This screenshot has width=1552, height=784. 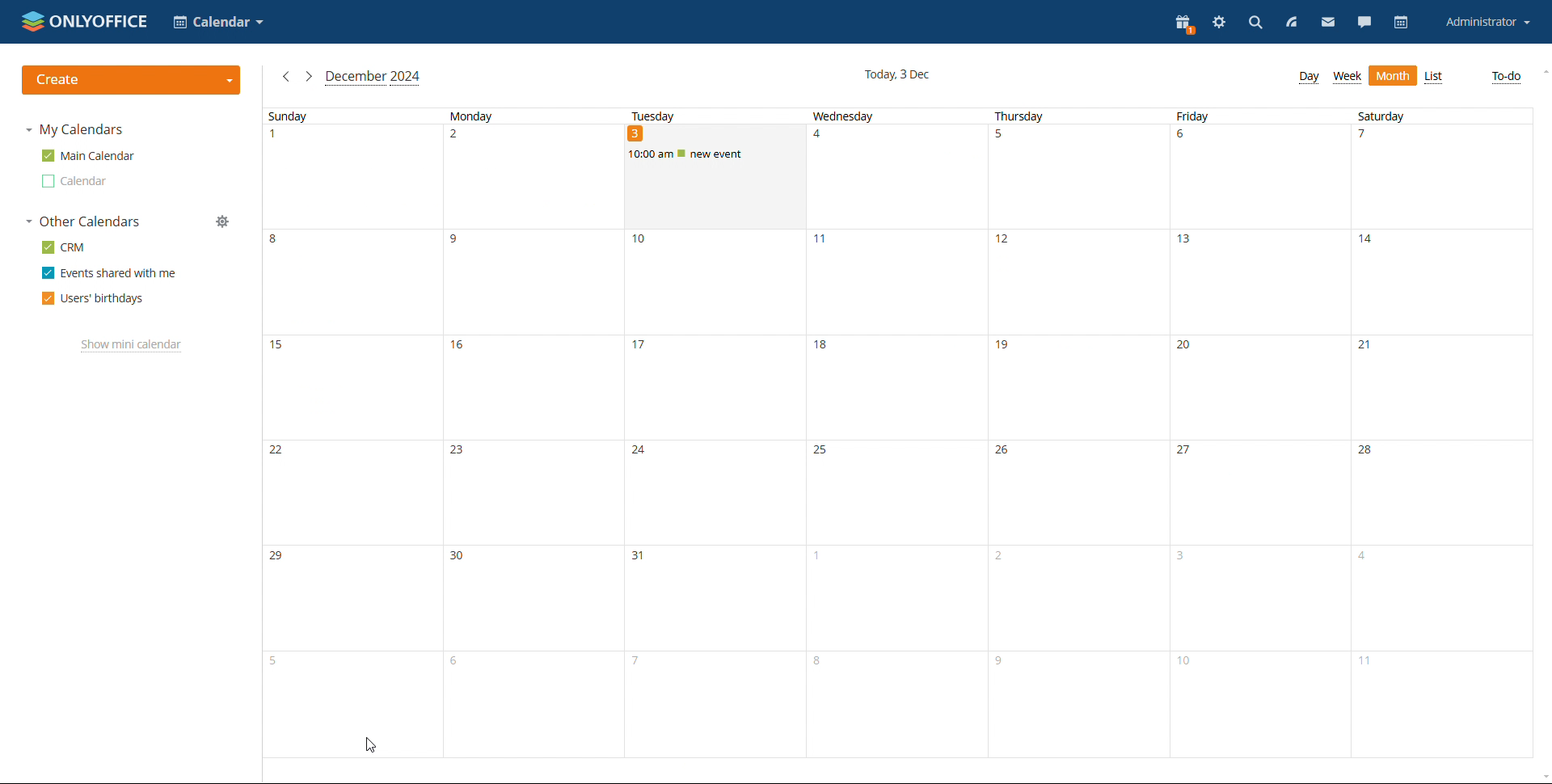 What do you see at coordinates (712, 283) in the screenshot?
I see `10` at bounding box center [712, 283].